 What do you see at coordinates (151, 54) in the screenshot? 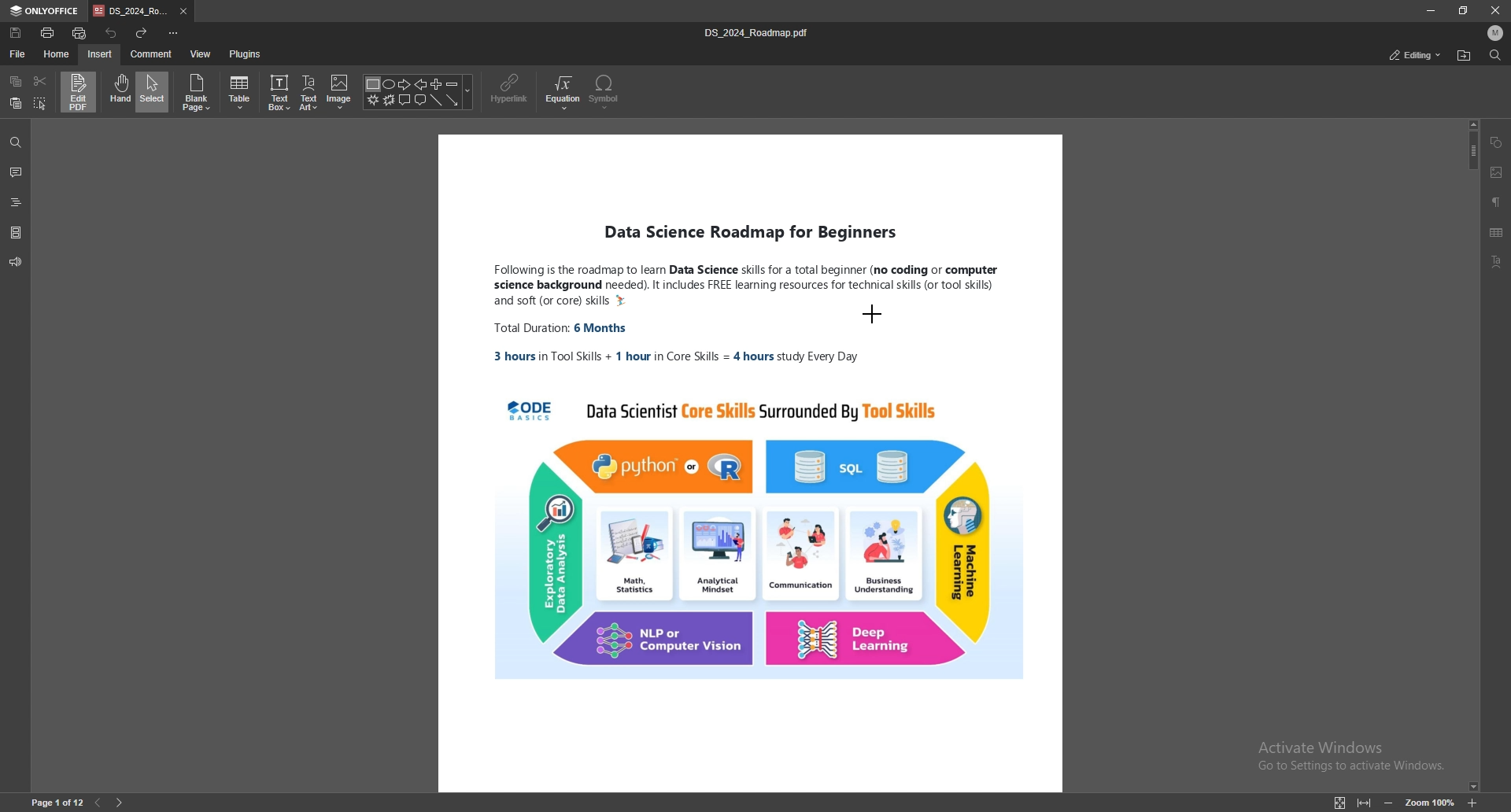
I see `comment` at bounding box center [151, 54].